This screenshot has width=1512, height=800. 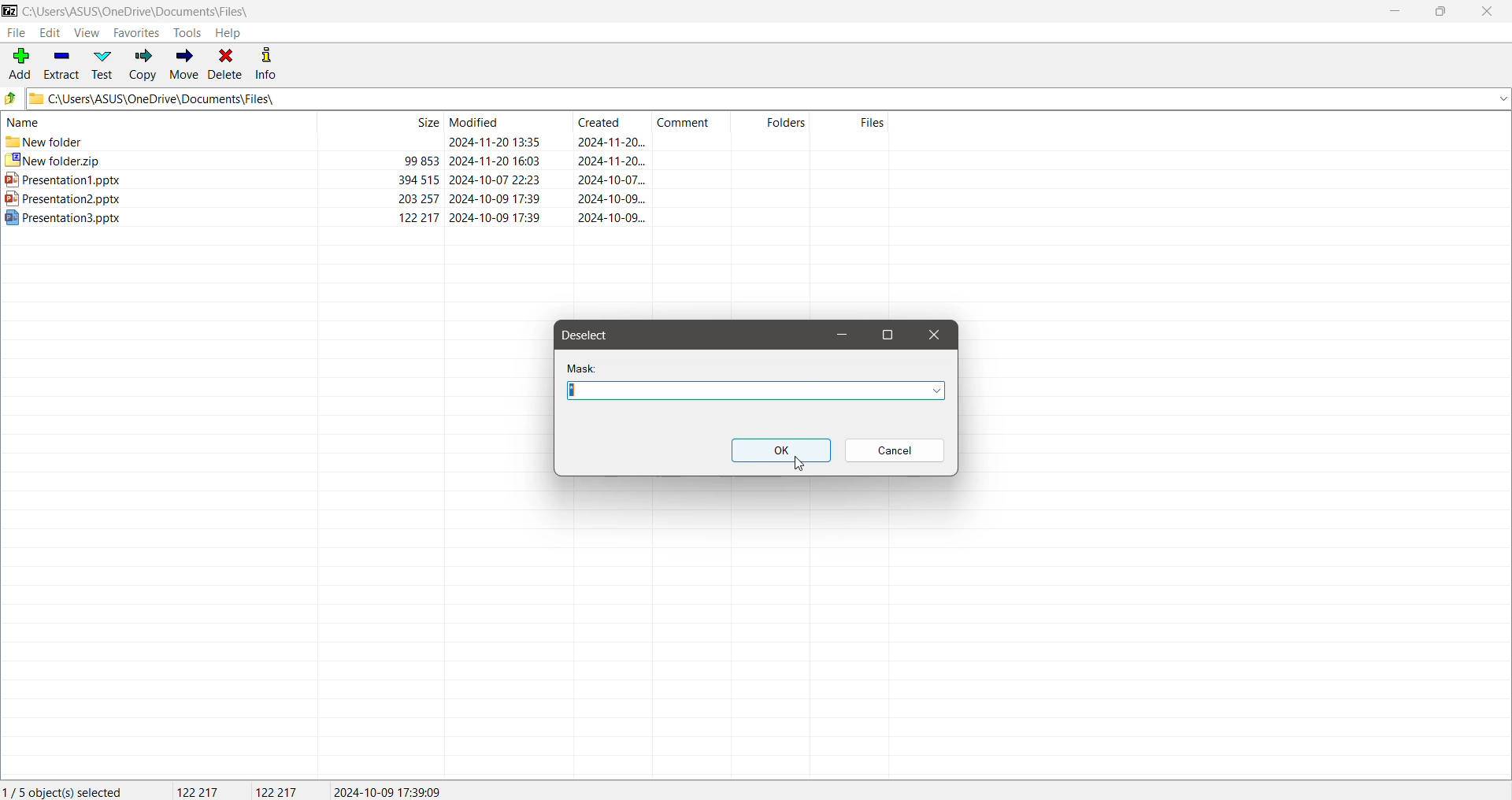 I want to click on Files, so click(x=853, y=122).